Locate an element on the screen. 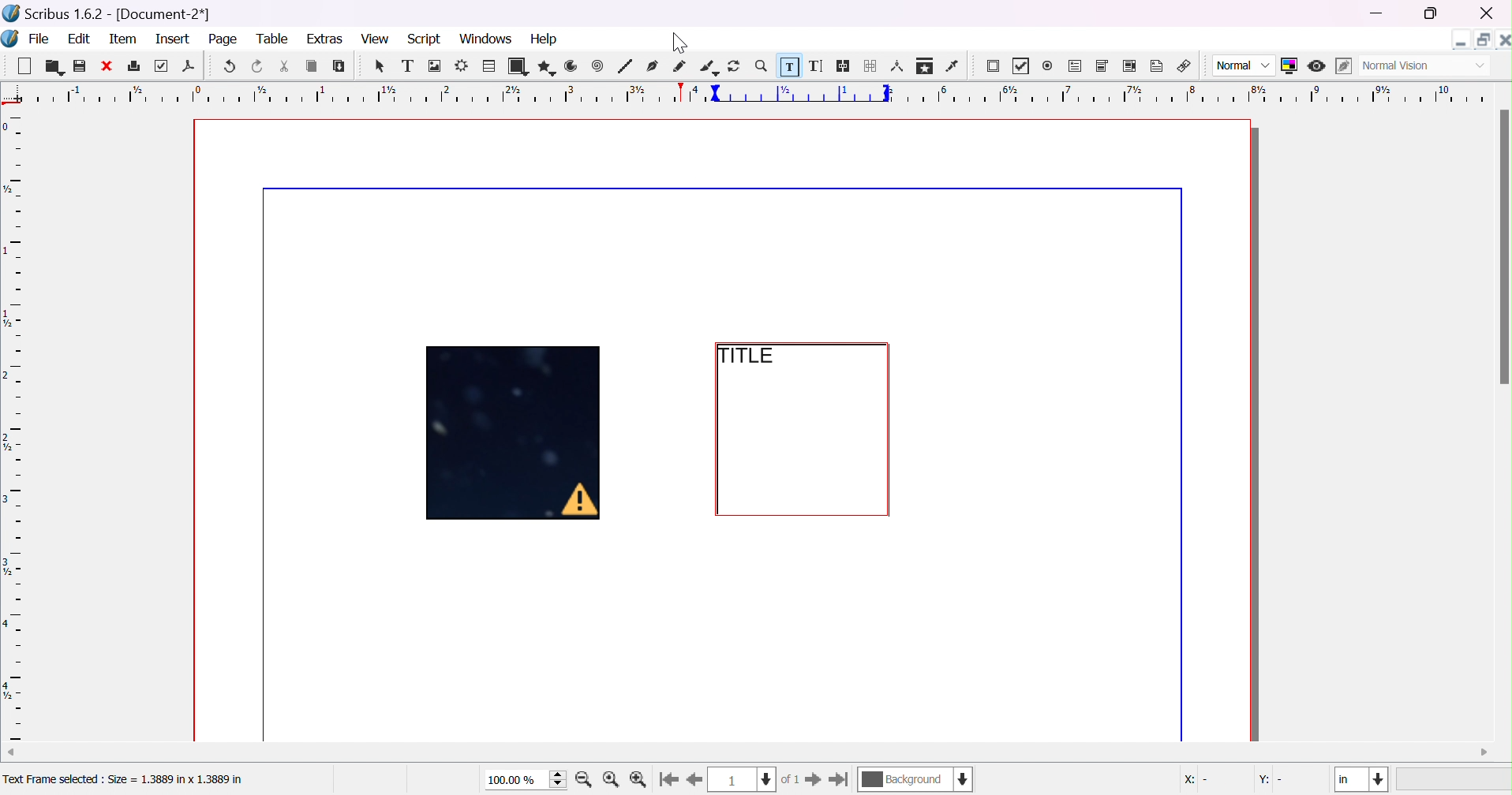 The height and width of the screenshot is (795, 1512). minimize is located at coordinates (1461, 39).